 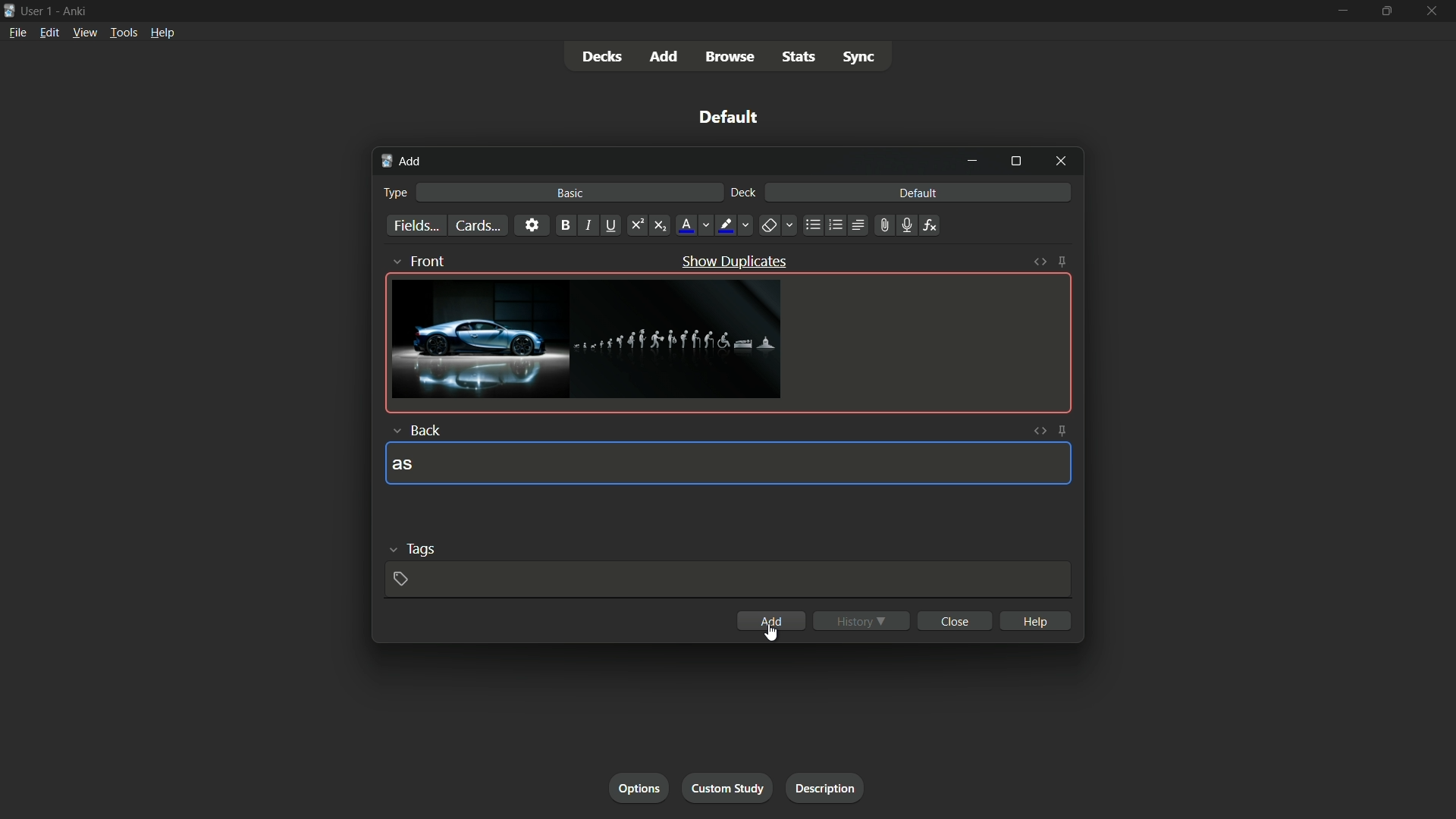 I want to click on toggle sticky, so click(x=1064, y=261).